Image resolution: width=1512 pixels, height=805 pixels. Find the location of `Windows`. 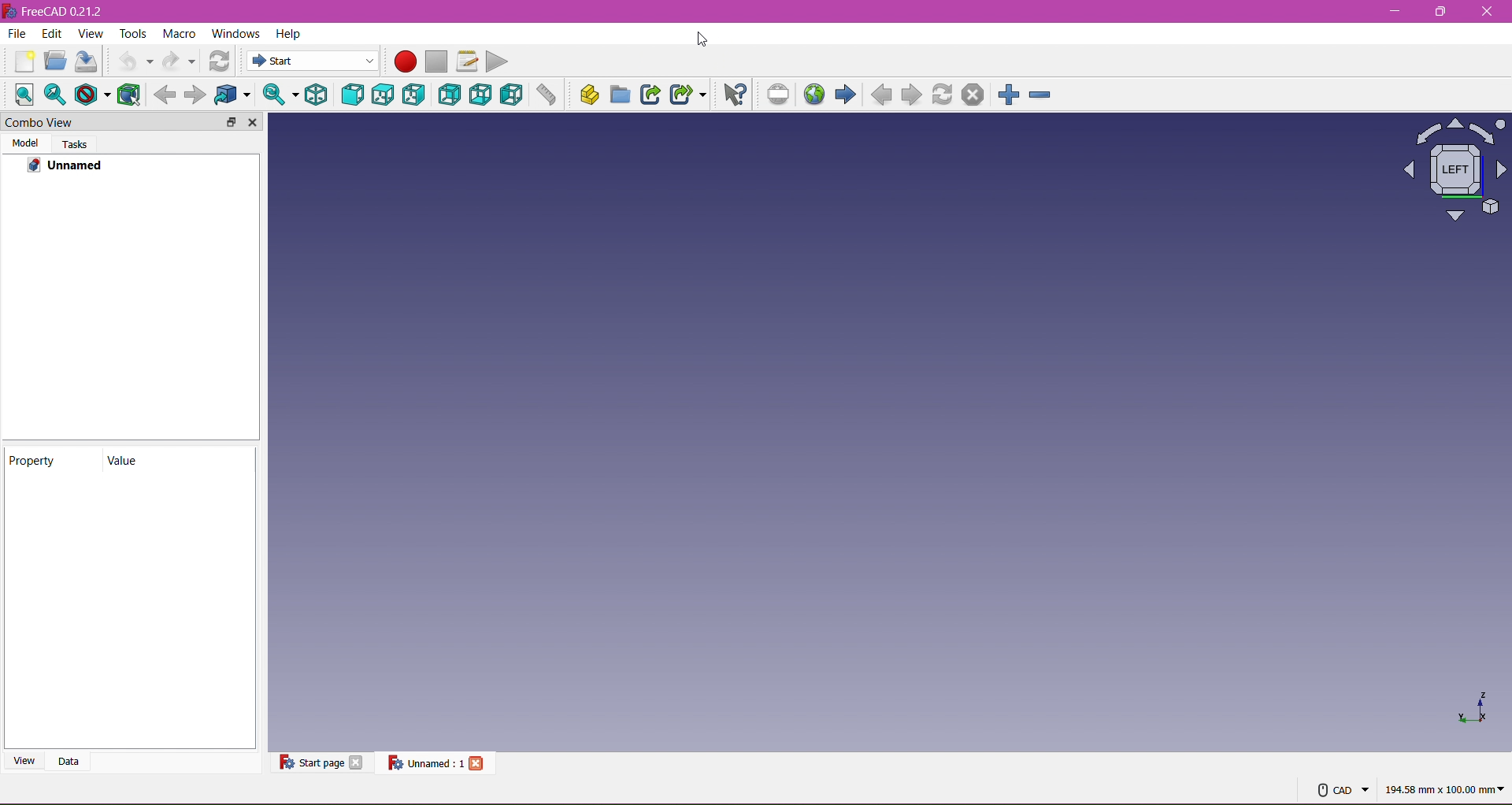

Windows is located at coordinates (235, 33).